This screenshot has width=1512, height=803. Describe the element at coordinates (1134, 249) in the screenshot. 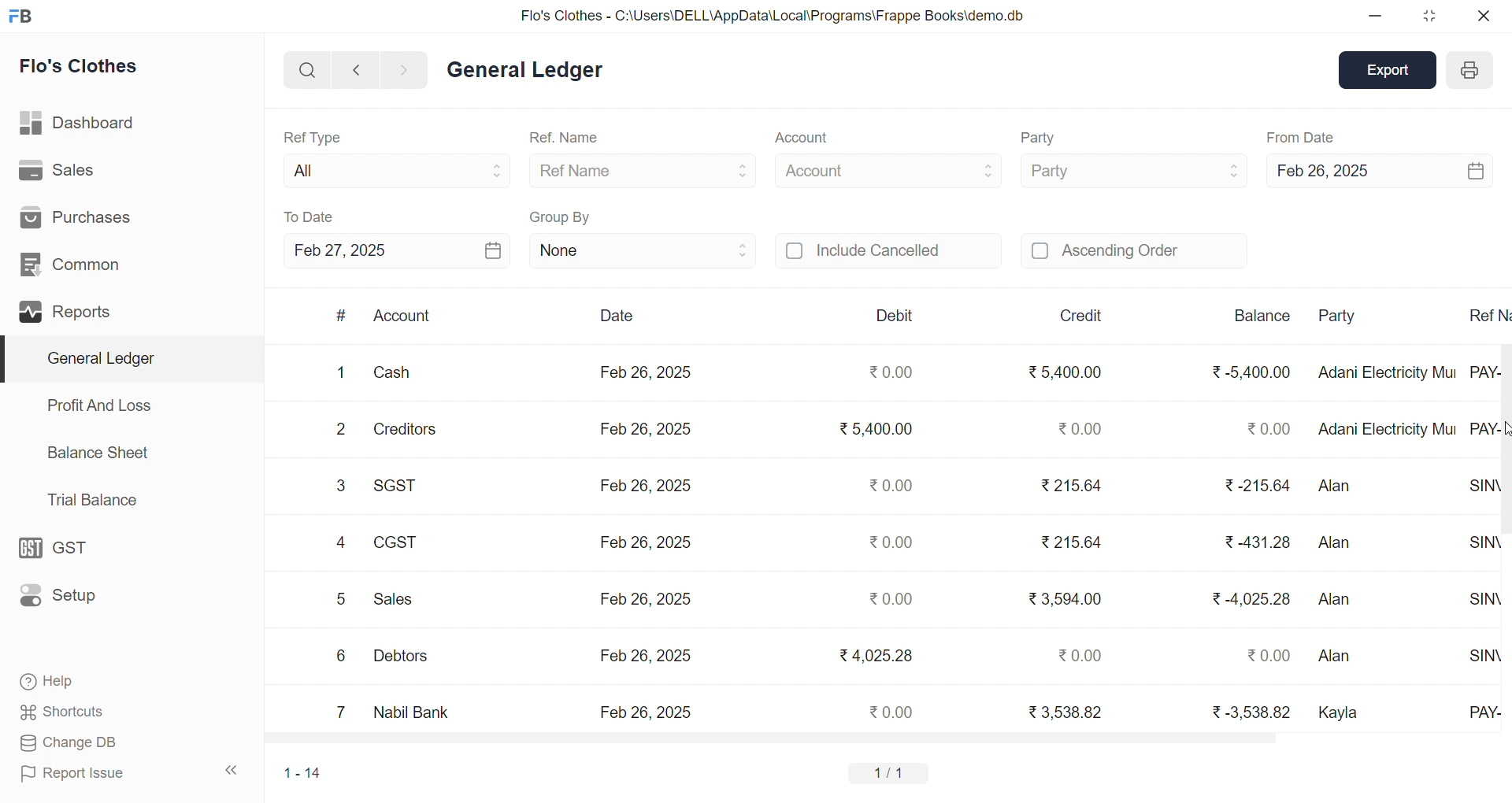

I see `Ascending Order` at that location.